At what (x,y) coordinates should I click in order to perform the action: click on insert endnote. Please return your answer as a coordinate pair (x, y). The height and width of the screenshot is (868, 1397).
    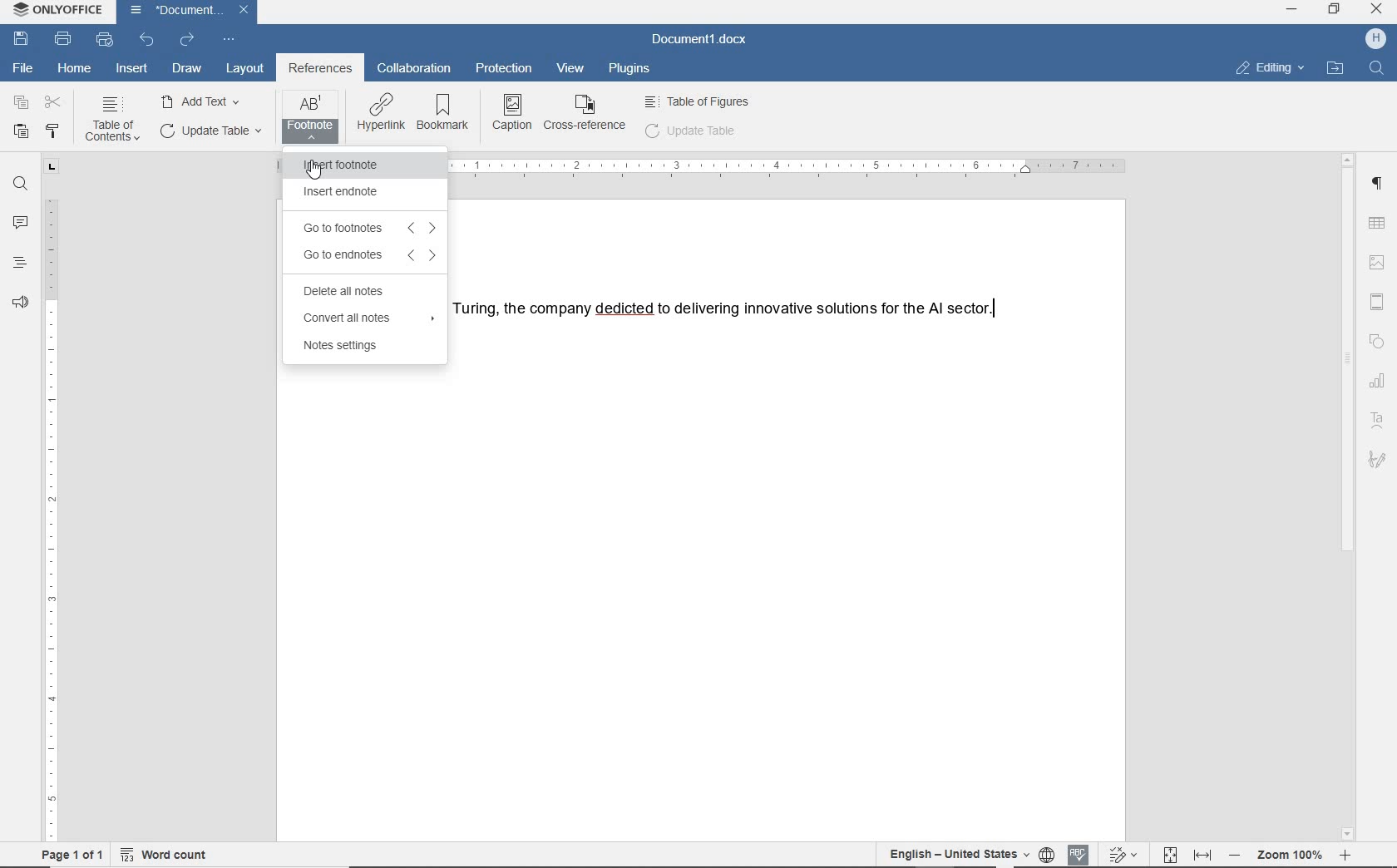
    Looking at the image, I should click on (341, 194).